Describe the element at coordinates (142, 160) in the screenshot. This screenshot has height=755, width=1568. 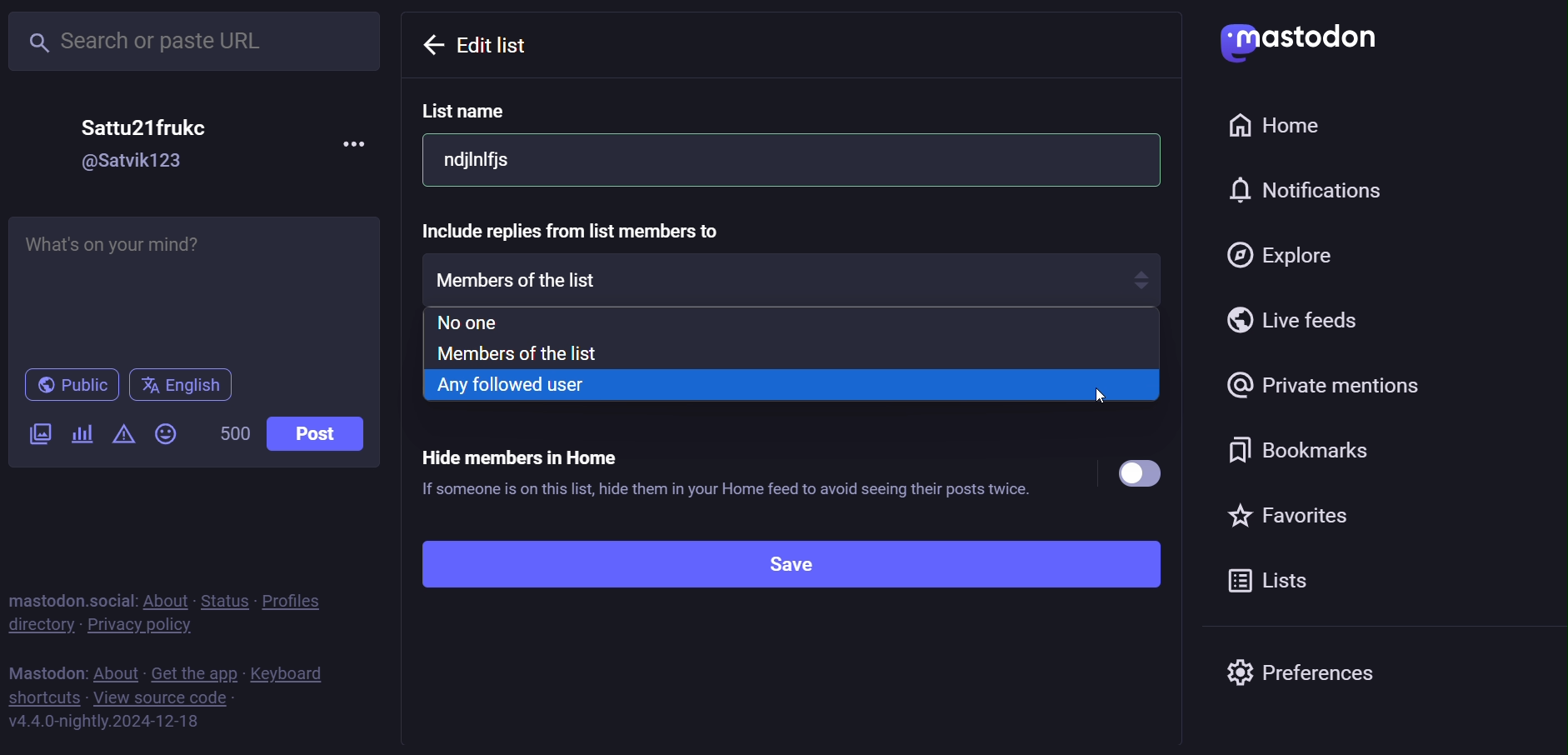
I see `@Satvik123` at that location.